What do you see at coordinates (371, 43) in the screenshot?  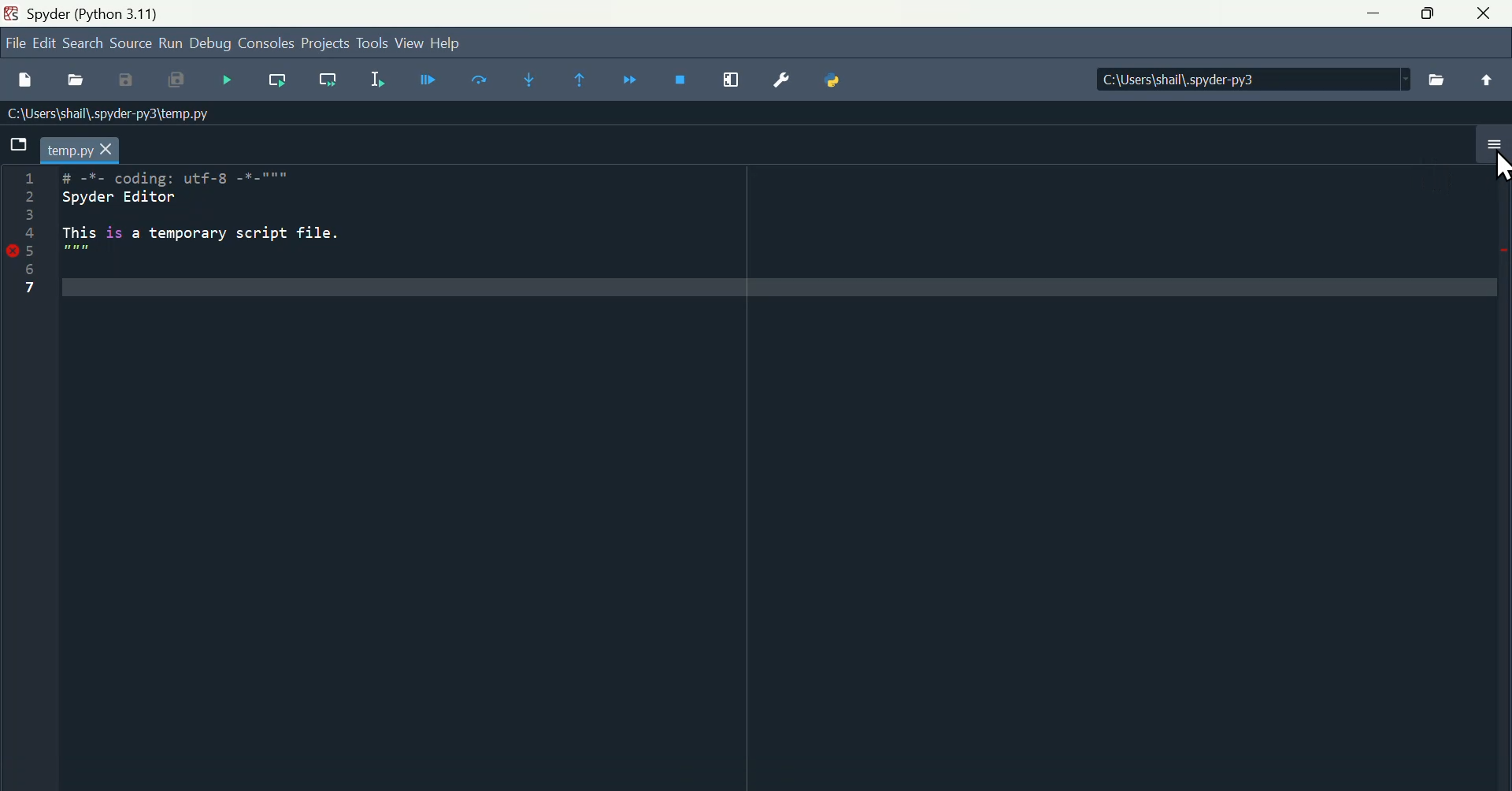 I see `Tools` at bounding box center [371, 43].